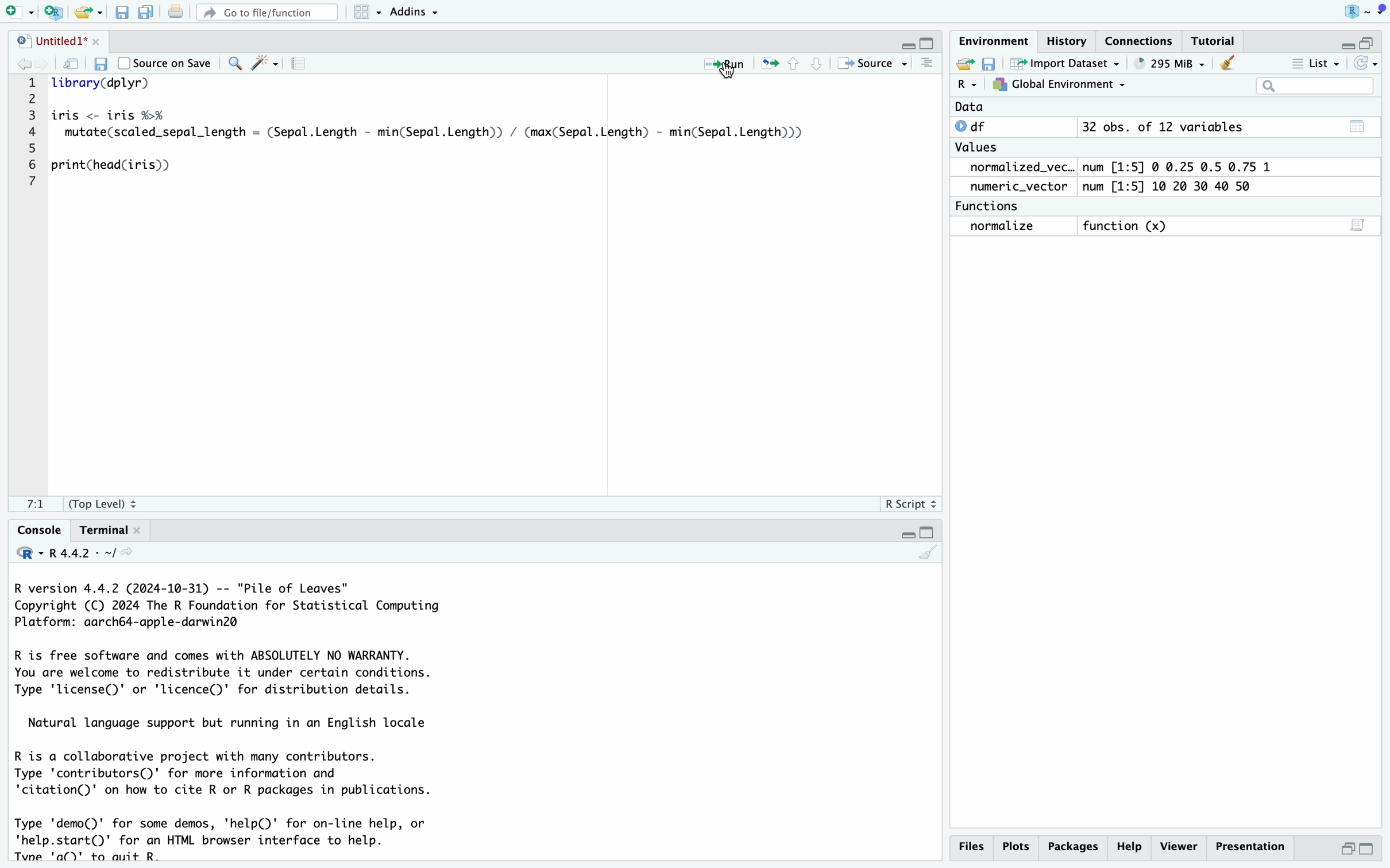  I want to click on Viewer, so click(1180, 845).